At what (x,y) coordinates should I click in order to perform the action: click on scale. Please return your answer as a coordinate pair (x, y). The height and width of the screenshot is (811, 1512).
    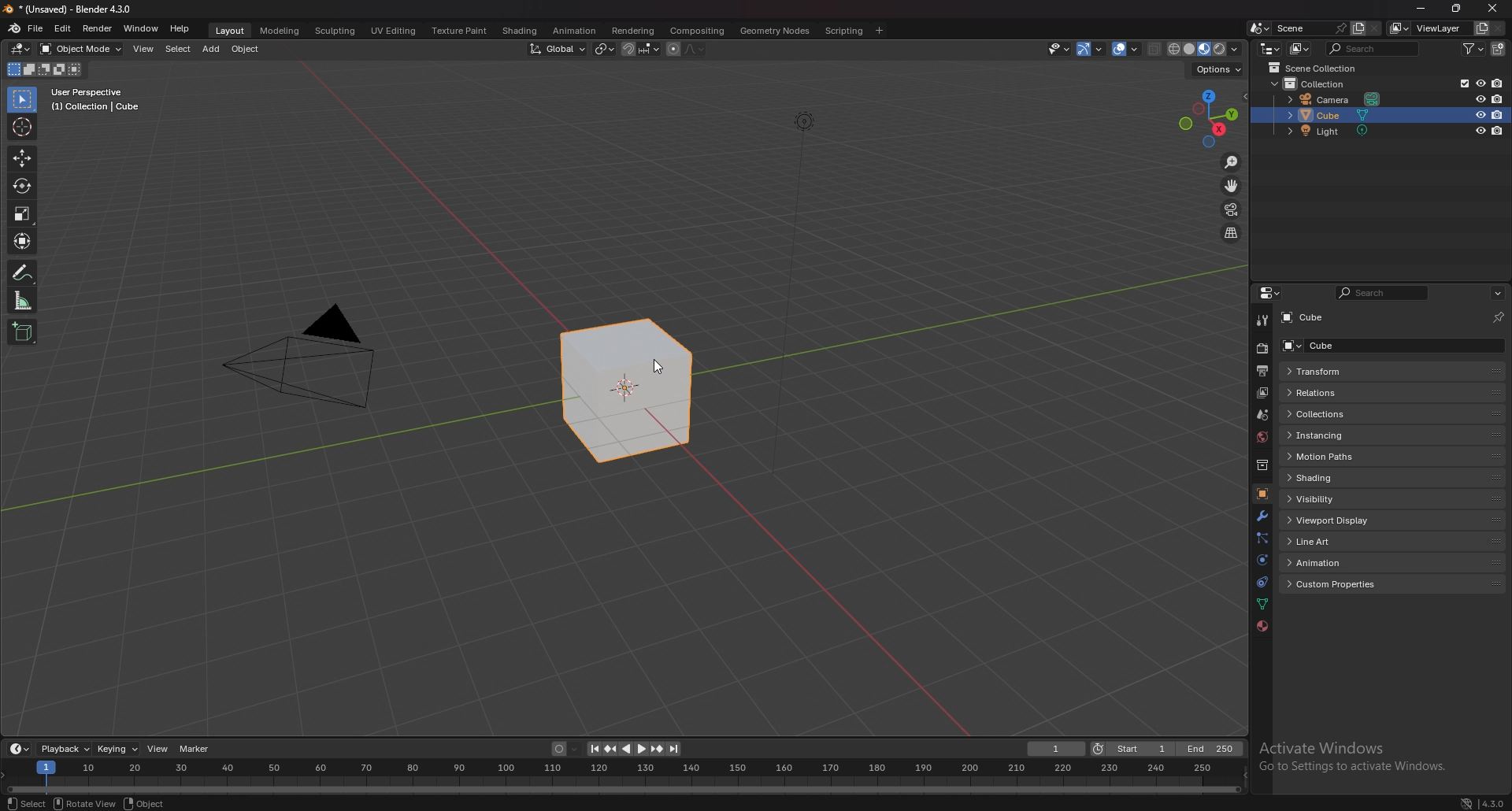
    Looking at the image, I should click on (20, 213).